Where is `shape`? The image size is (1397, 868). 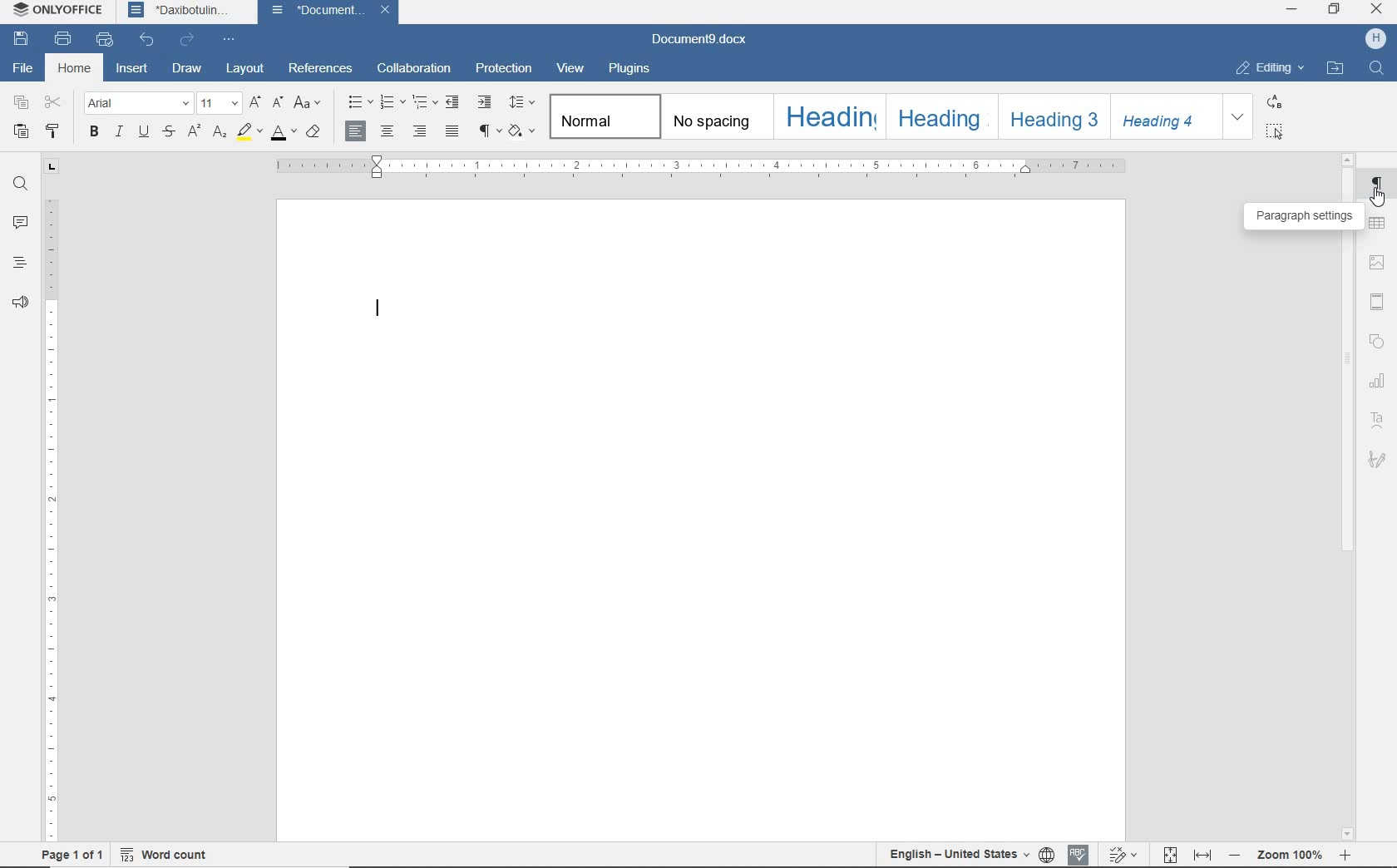 shape is located at coordinates (1375, 343).